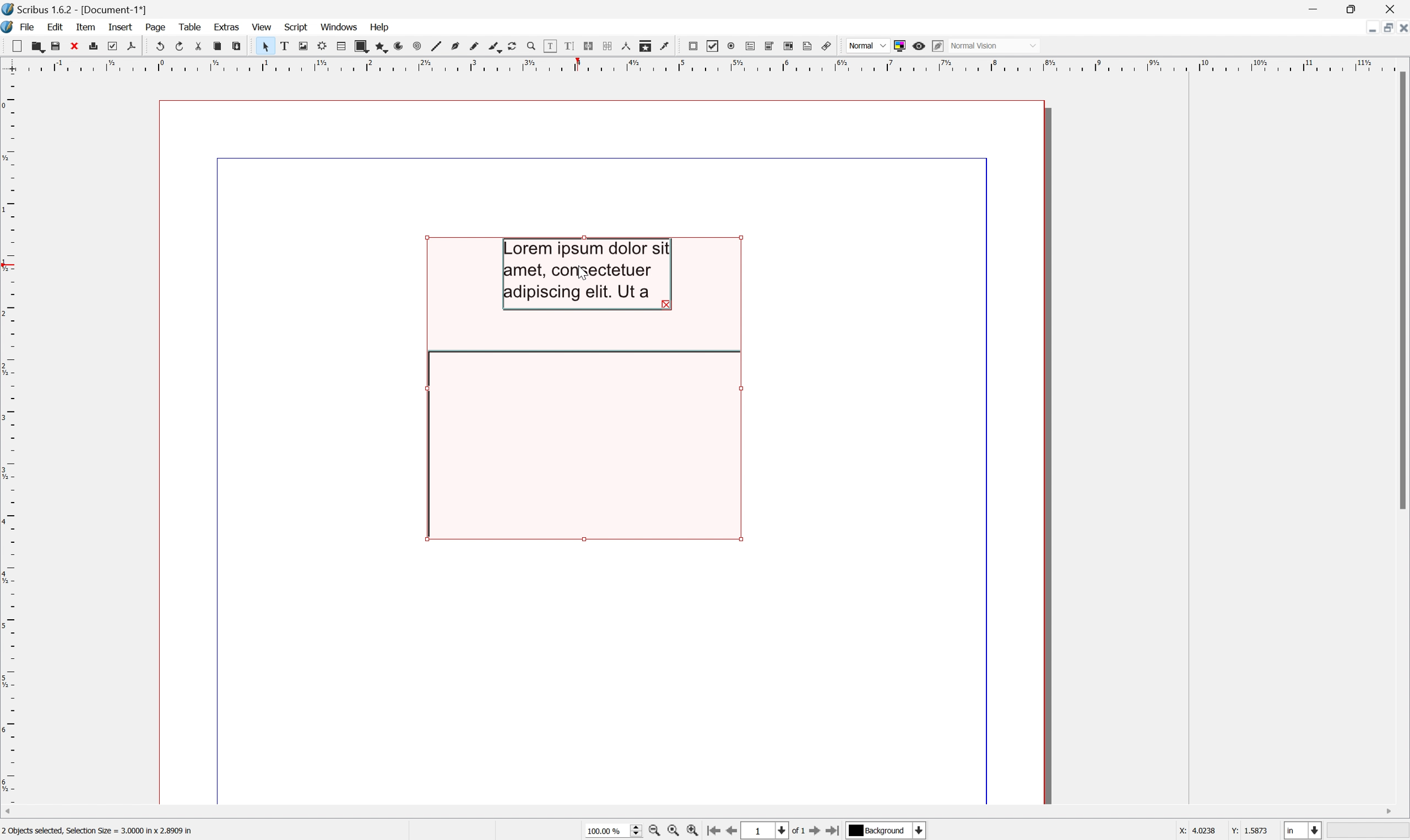 This screenshot has height=840, width=1410. Describe the element at coordinates (11, 46) in the screenshot. I see `New` at that location.